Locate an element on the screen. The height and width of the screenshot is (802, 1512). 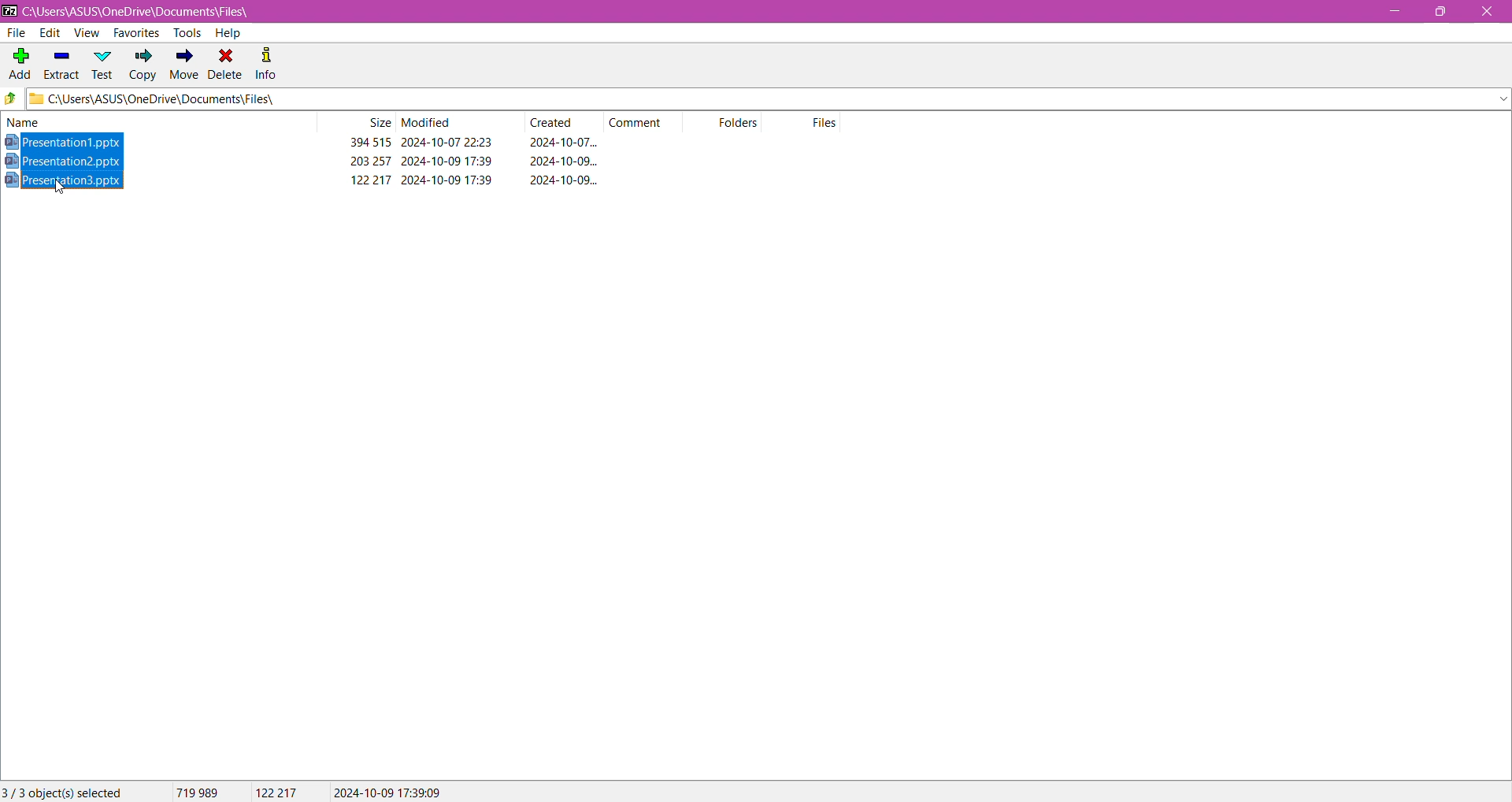
719989 is located at coordinates (195, 792).